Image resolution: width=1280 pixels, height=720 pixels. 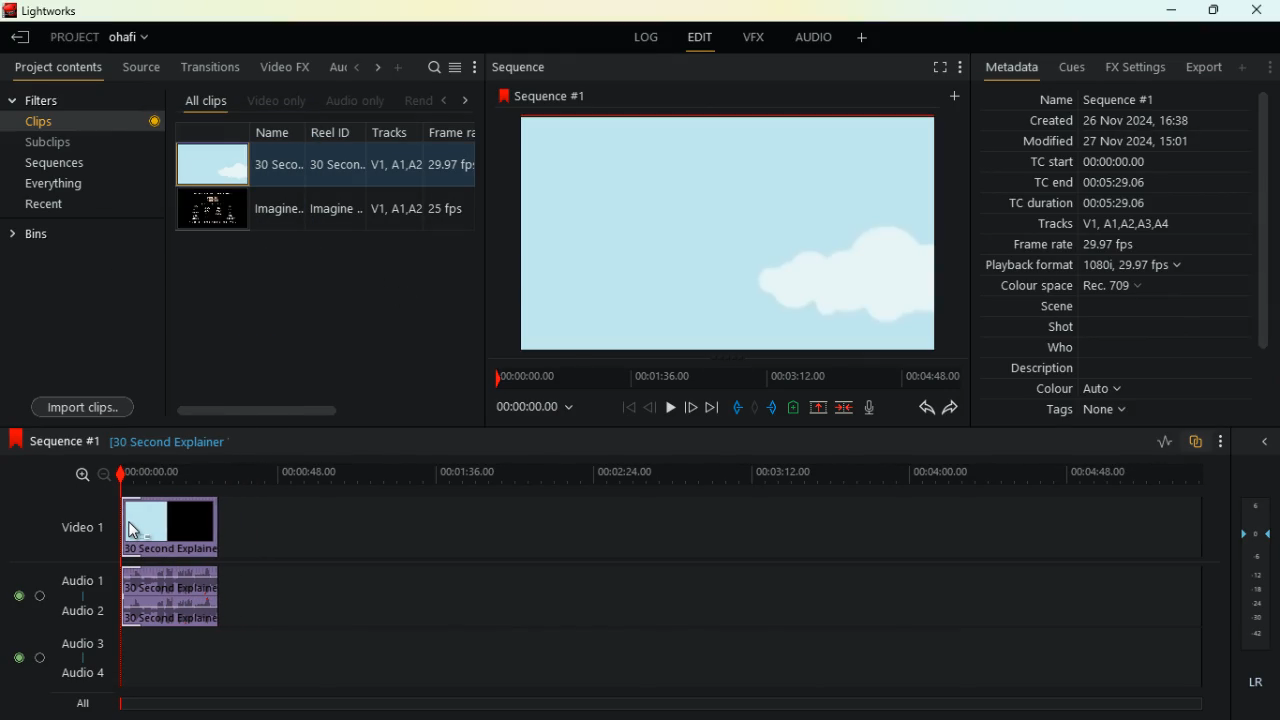 I want to click on mic, so click(x=868, y=408).